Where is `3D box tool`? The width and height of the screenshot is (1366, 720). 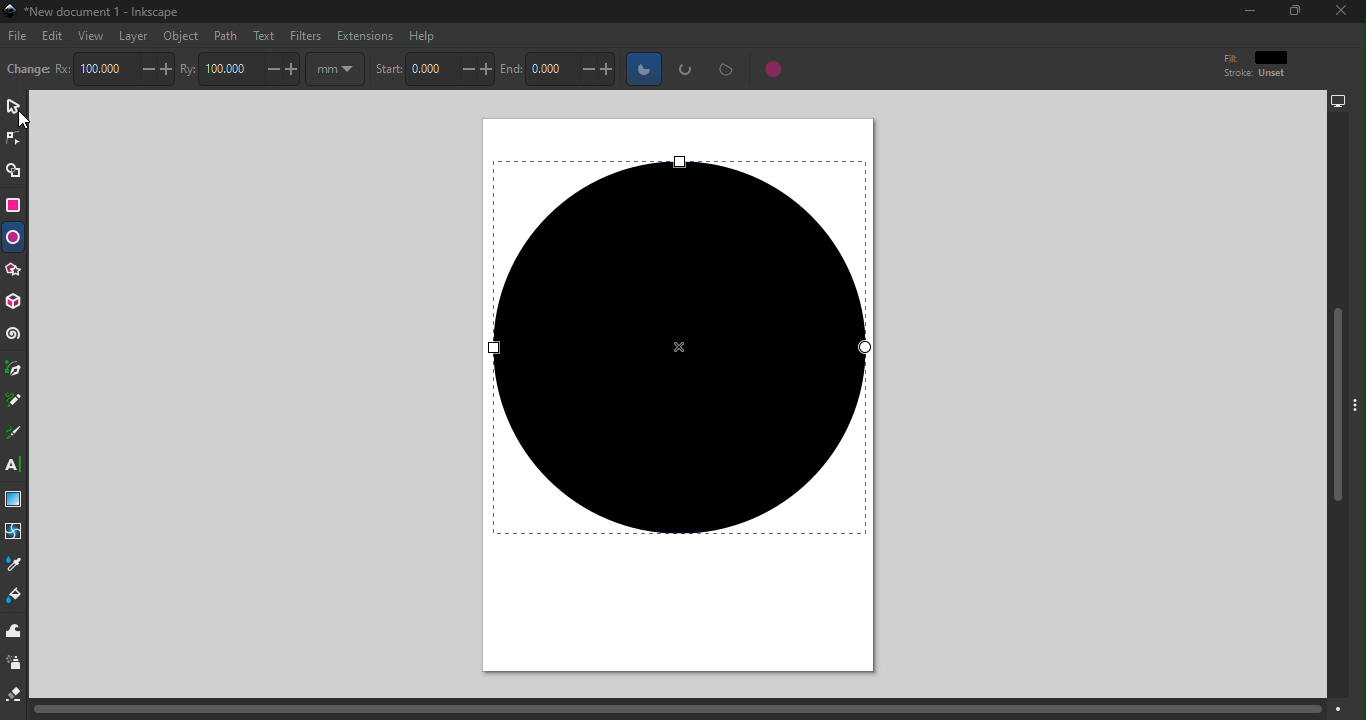
3D box tool is located at coordinates (16, 302).